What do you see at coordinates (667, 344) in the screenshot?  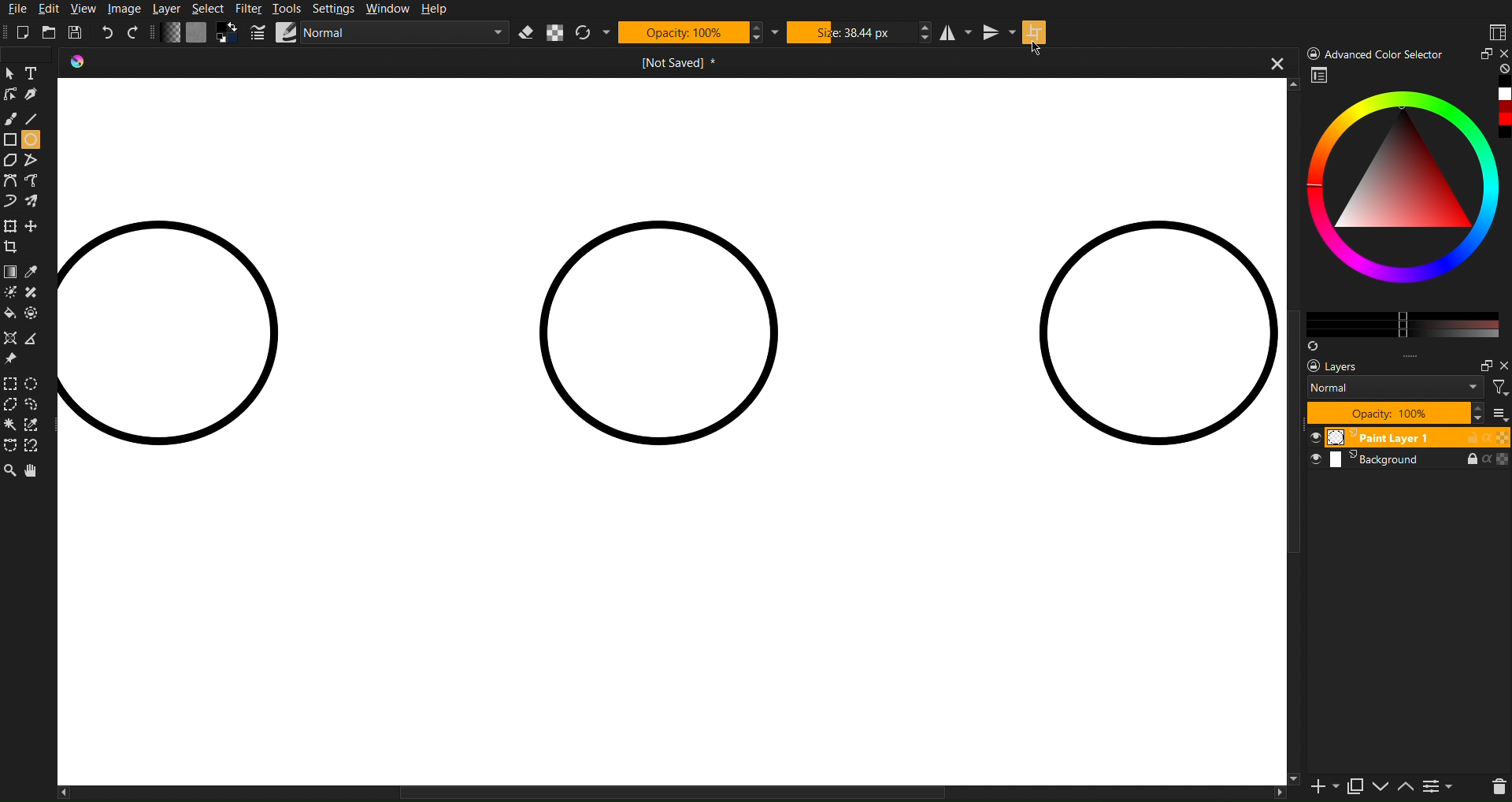 I see `Circle Wrap Around` at bounding box center [667, 344].